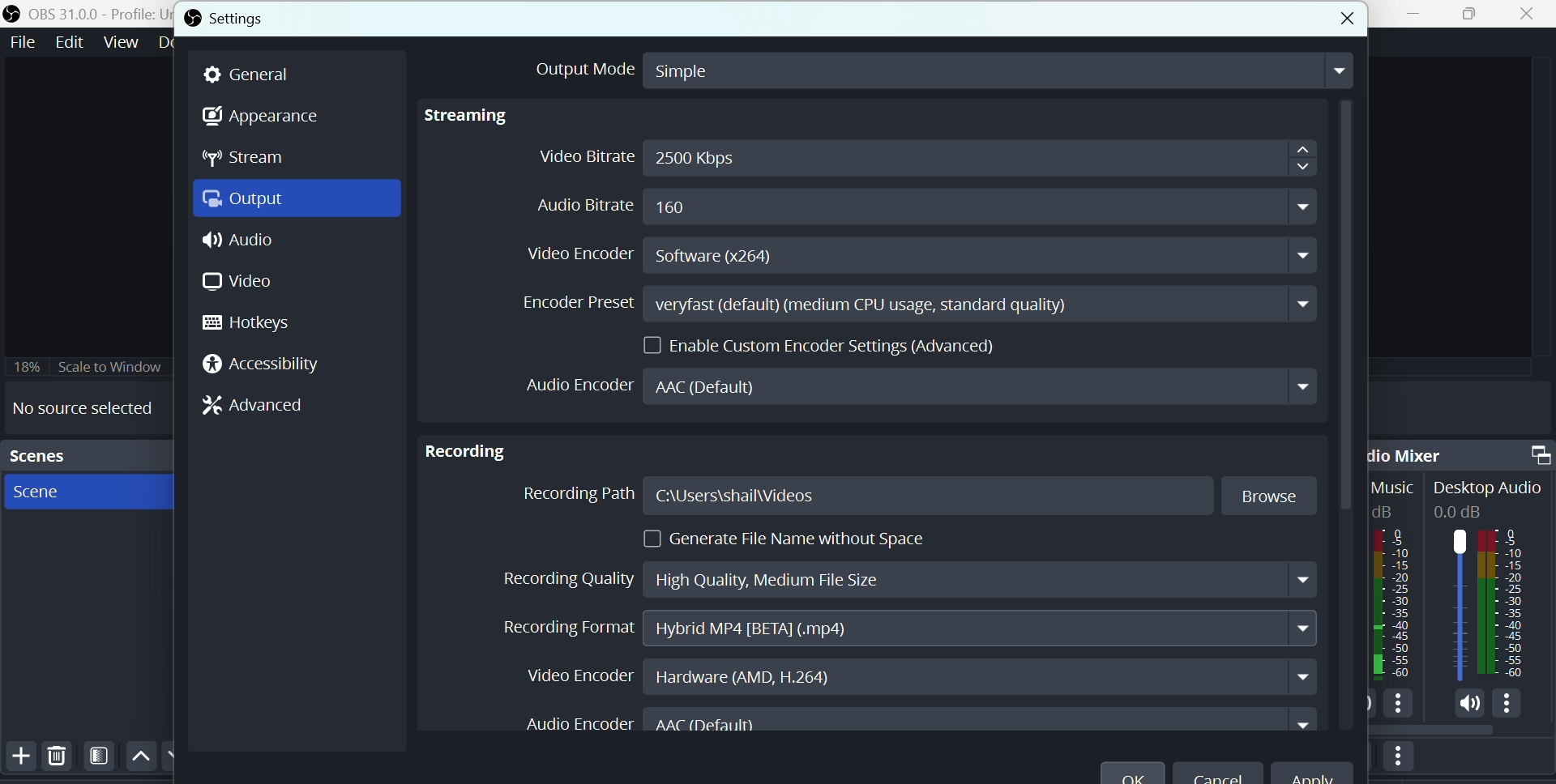  Describe the element at coordinates (253, 157) in the screenshot. I see `Stream` at that location.